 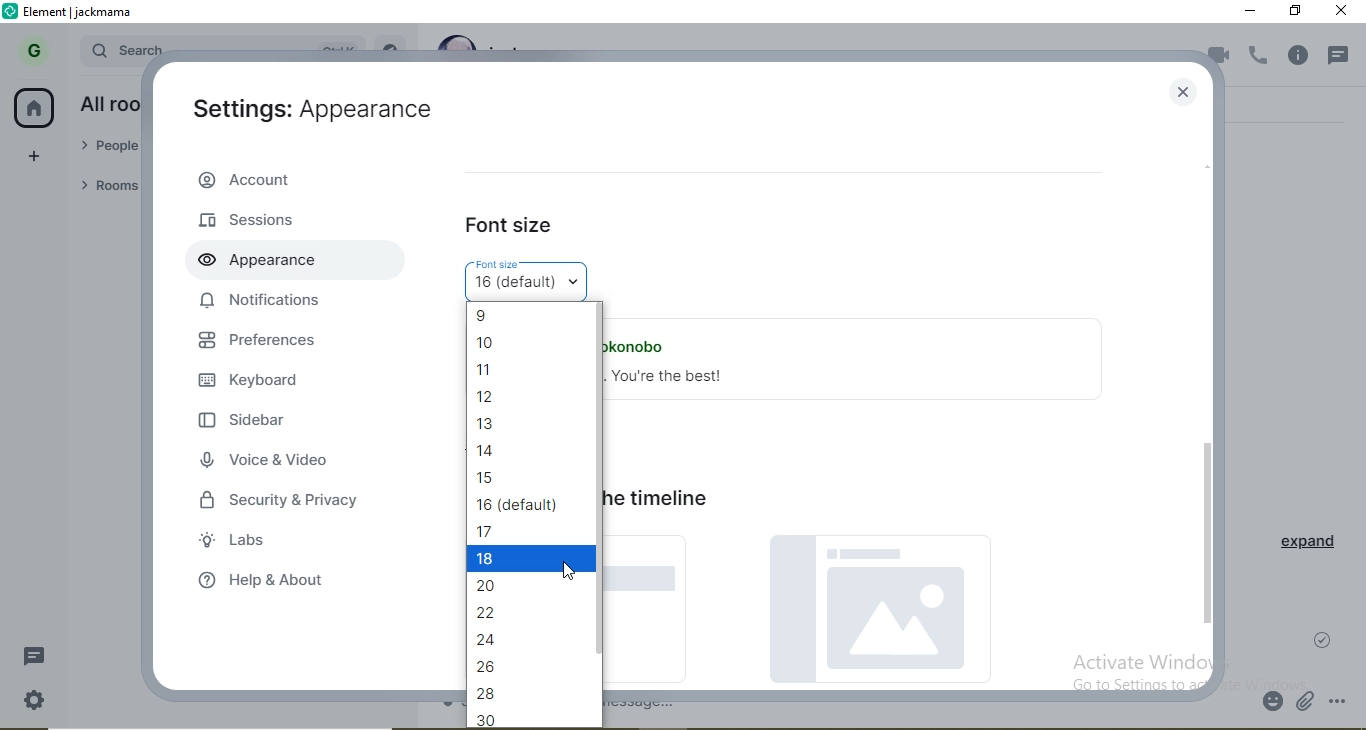 I want to click on expand, so click(x=1301, y=547).